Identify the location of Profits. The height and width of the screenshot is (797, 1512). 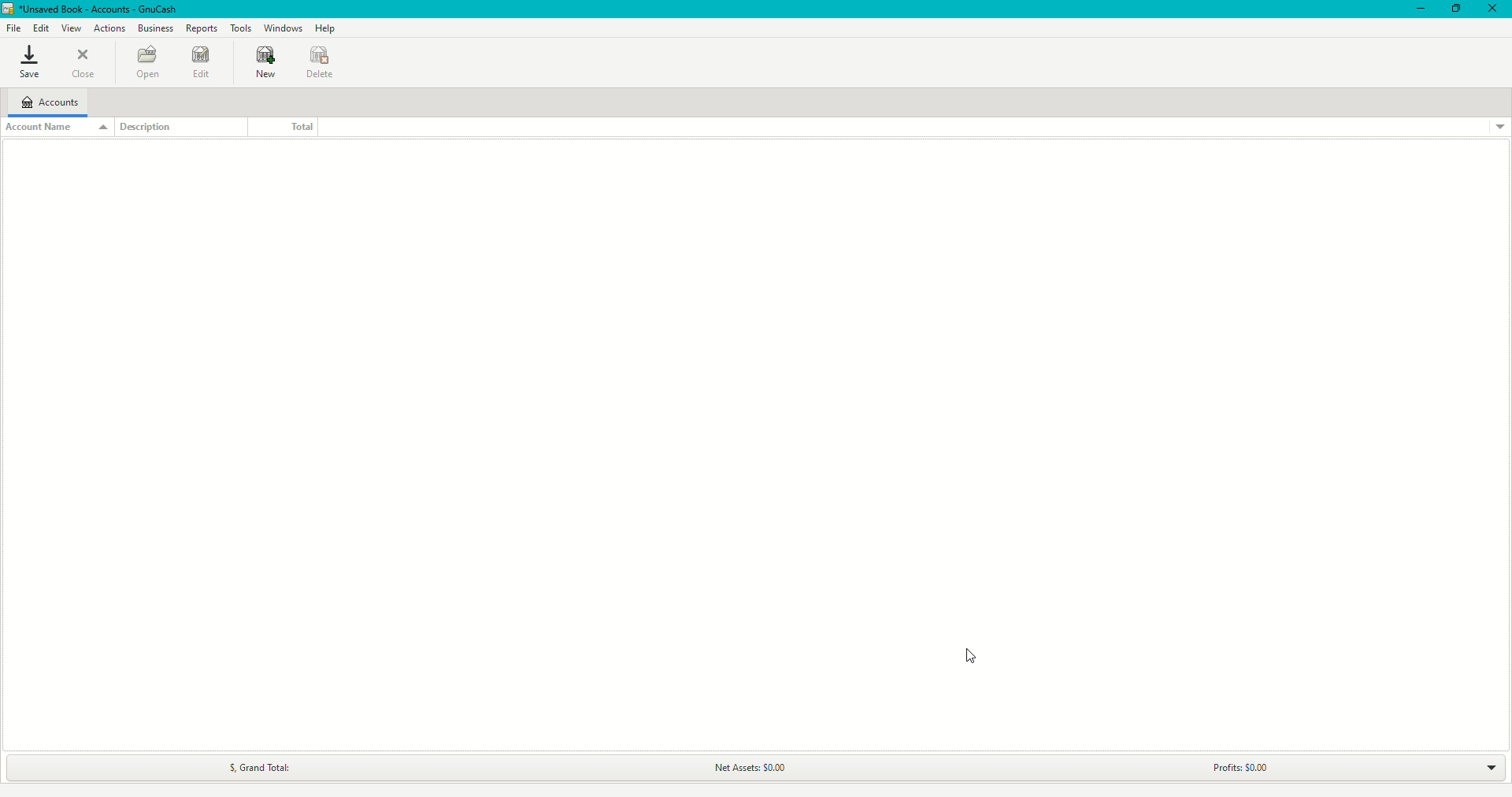
(1232, 768).